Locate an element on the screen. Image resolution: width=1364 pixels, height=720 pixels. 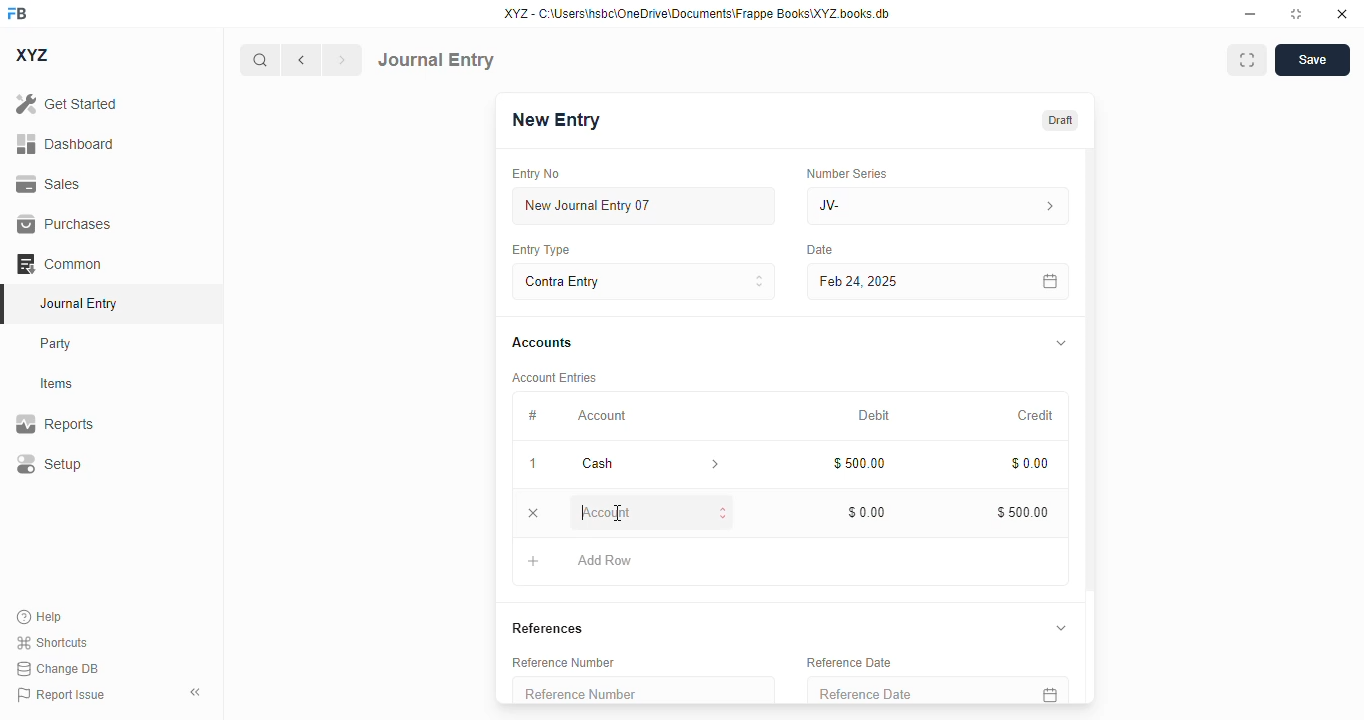
reference date is located at coordinates (899, 690).